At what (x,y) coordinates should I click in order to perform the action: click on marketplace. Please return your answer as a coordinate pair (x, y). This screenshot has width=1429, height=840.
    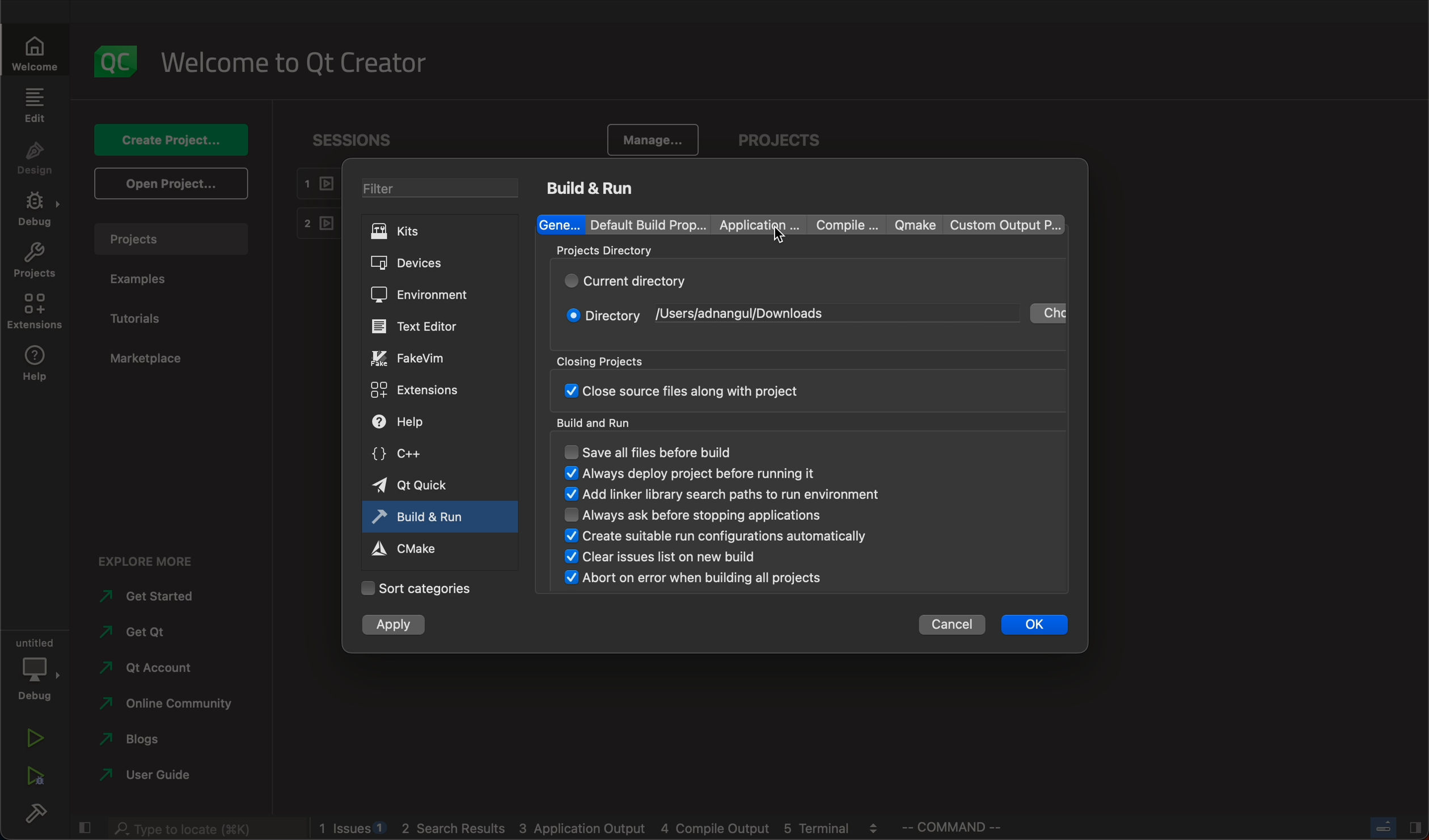
    Looking at the image, I should click on (150, 359).